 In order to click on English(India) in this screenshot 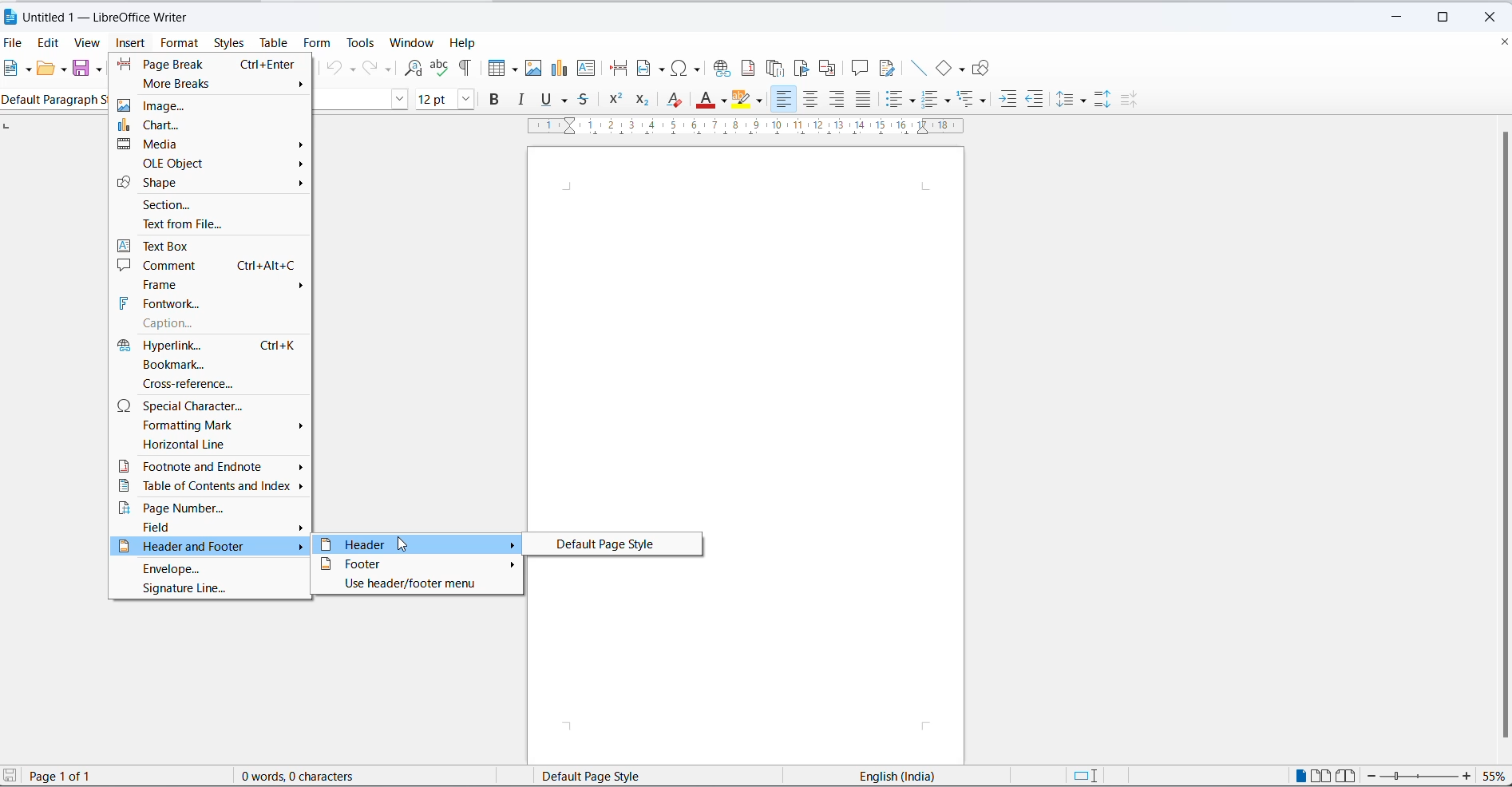, I will do `click(881, 775)`.